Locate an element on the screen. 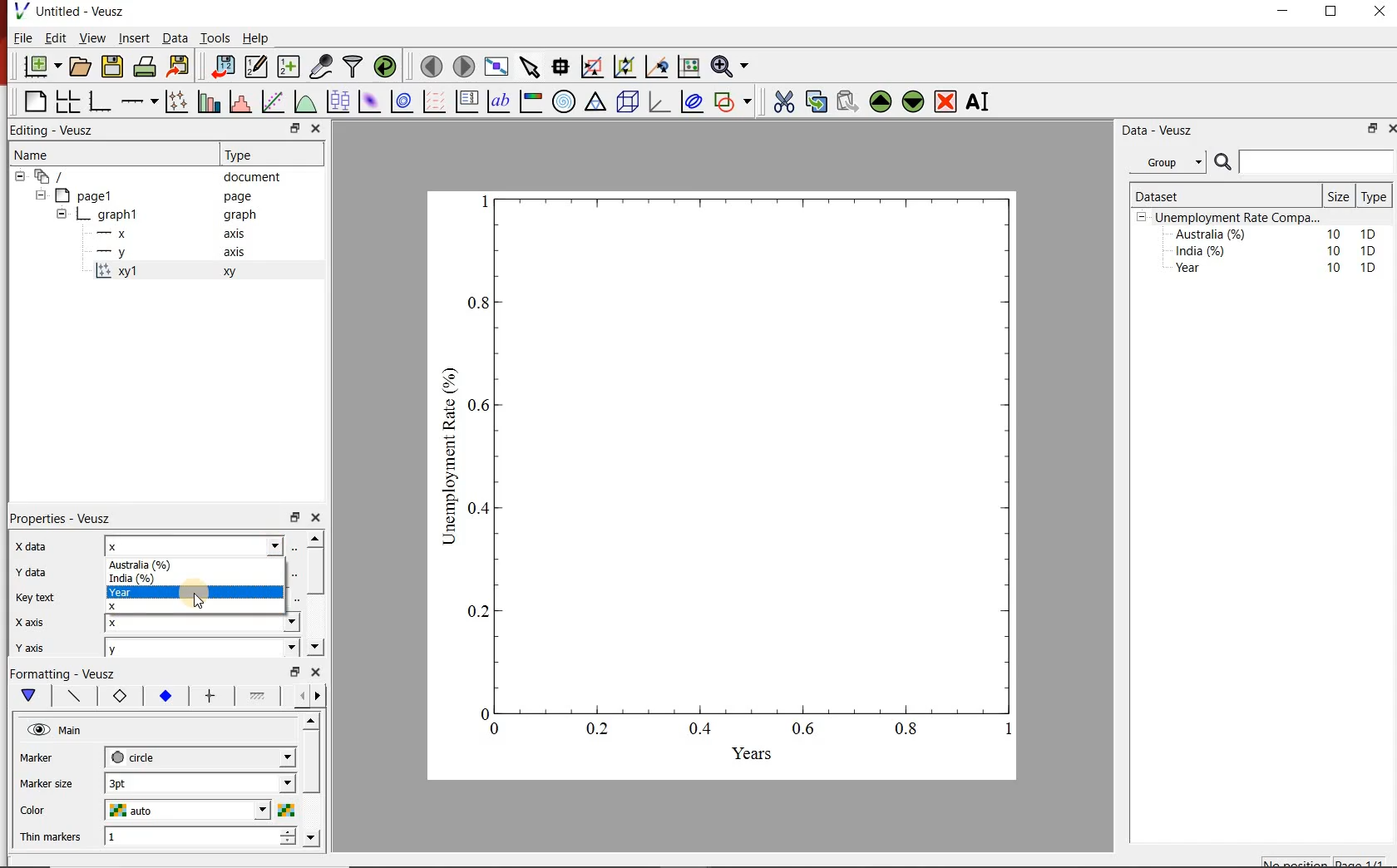  move up is located at coordinates (315, 538).